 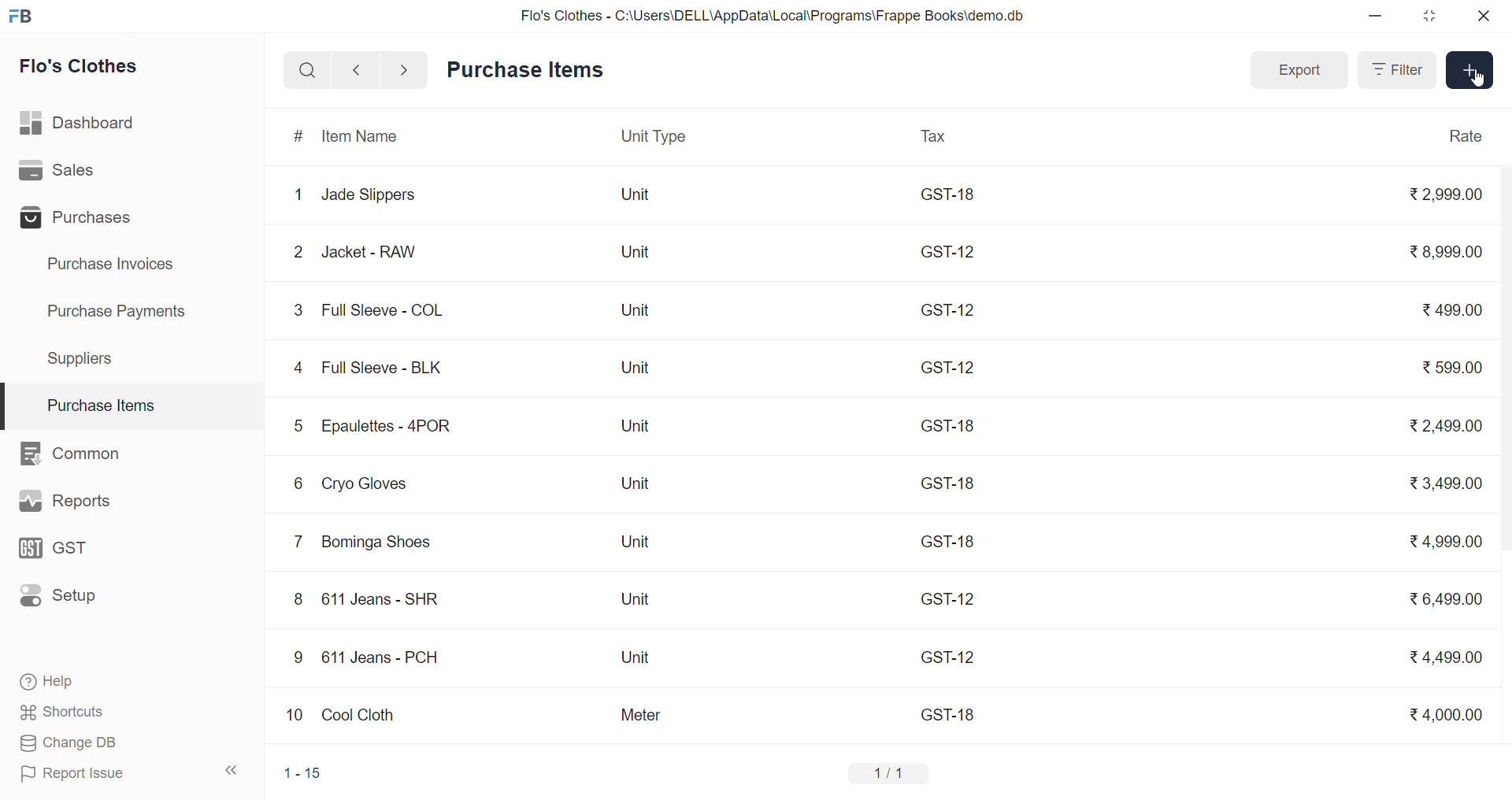 What do you see at coordinates (1440, 659) in the screenshot?
I see `₹4,499.00` at bounding box center [1440, 659].